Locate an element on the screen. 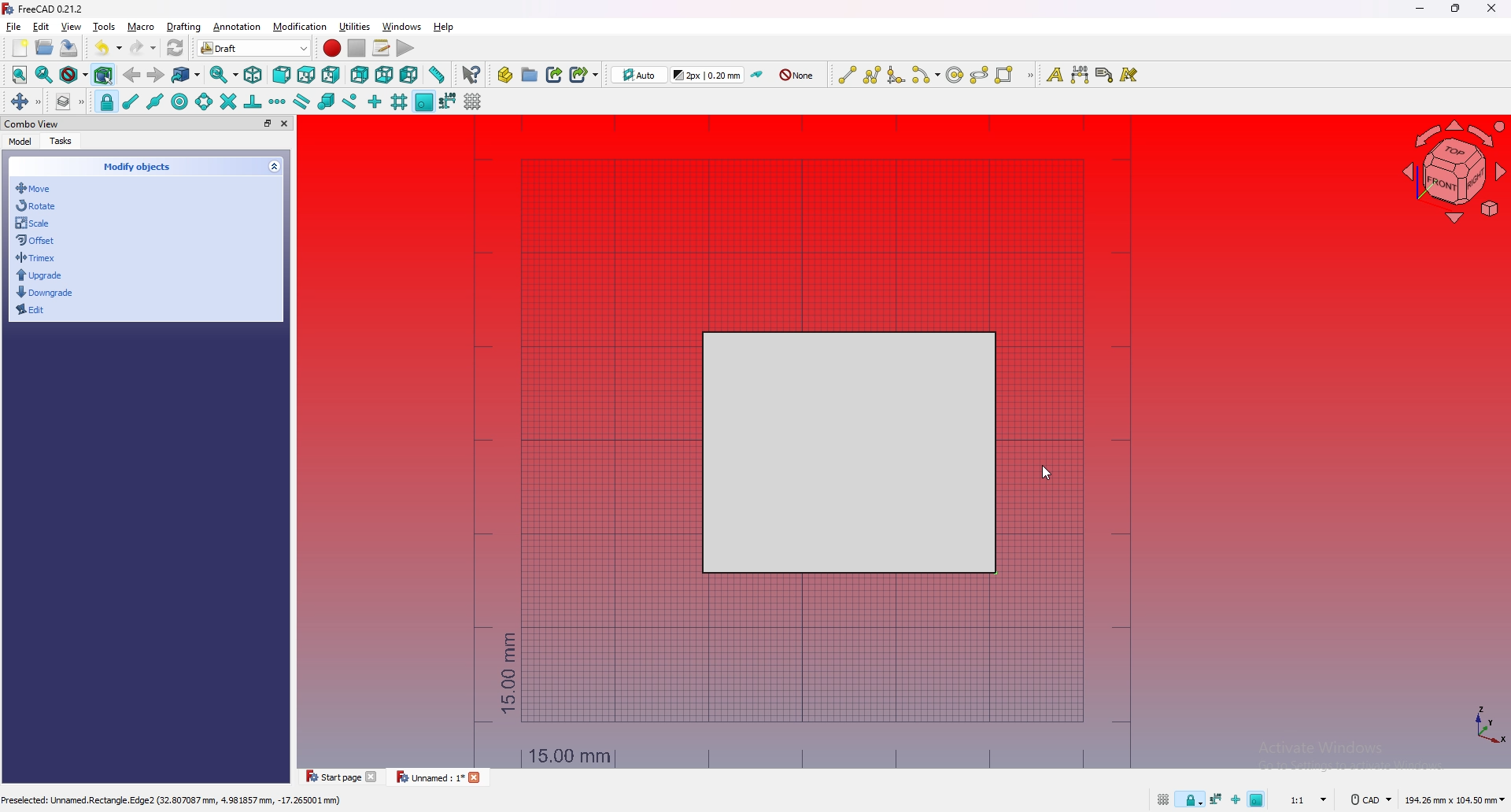  windows is located at coordinates (401, 27).